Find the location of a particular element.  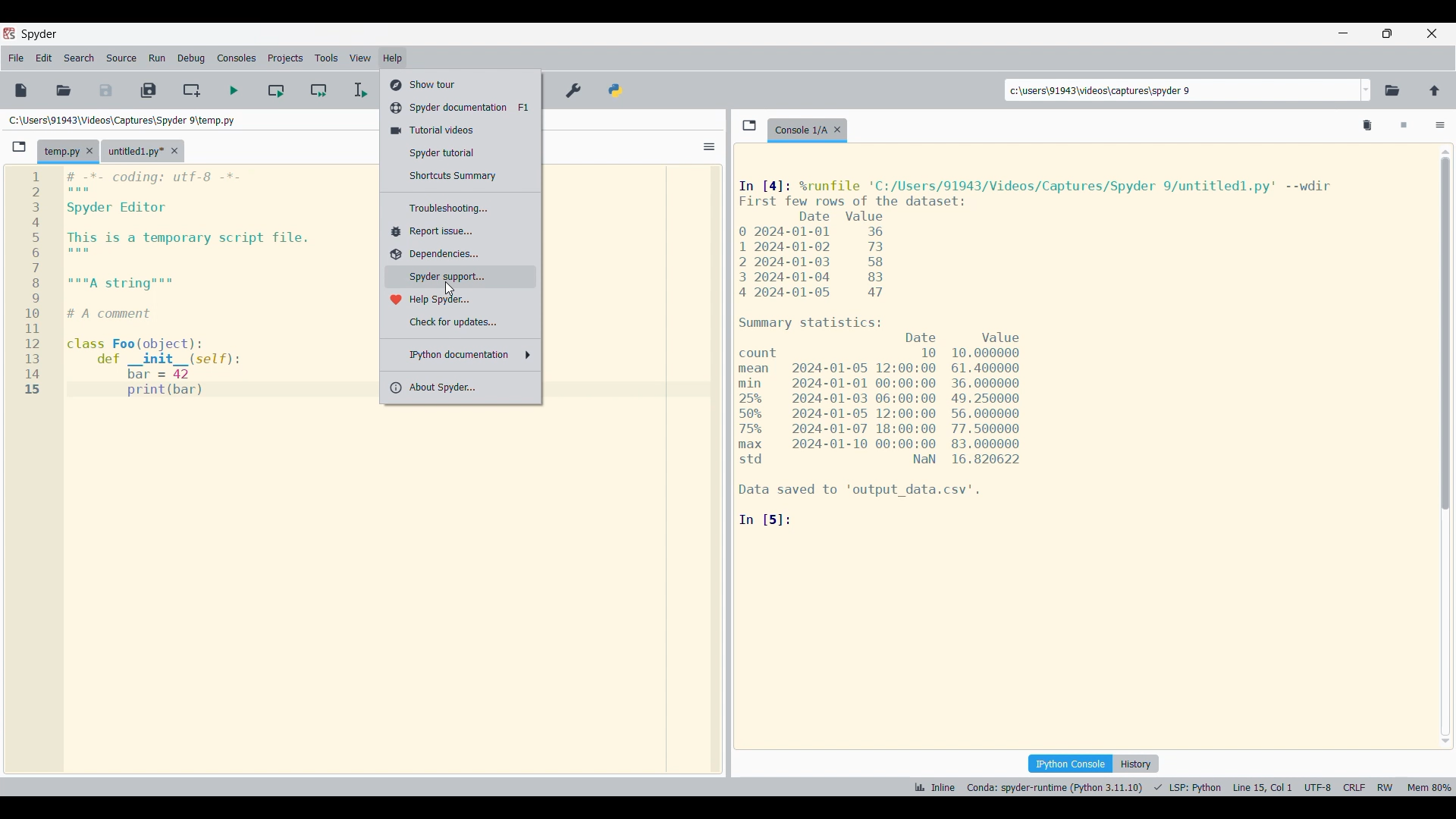

New file is located at coordinates (20, 90).